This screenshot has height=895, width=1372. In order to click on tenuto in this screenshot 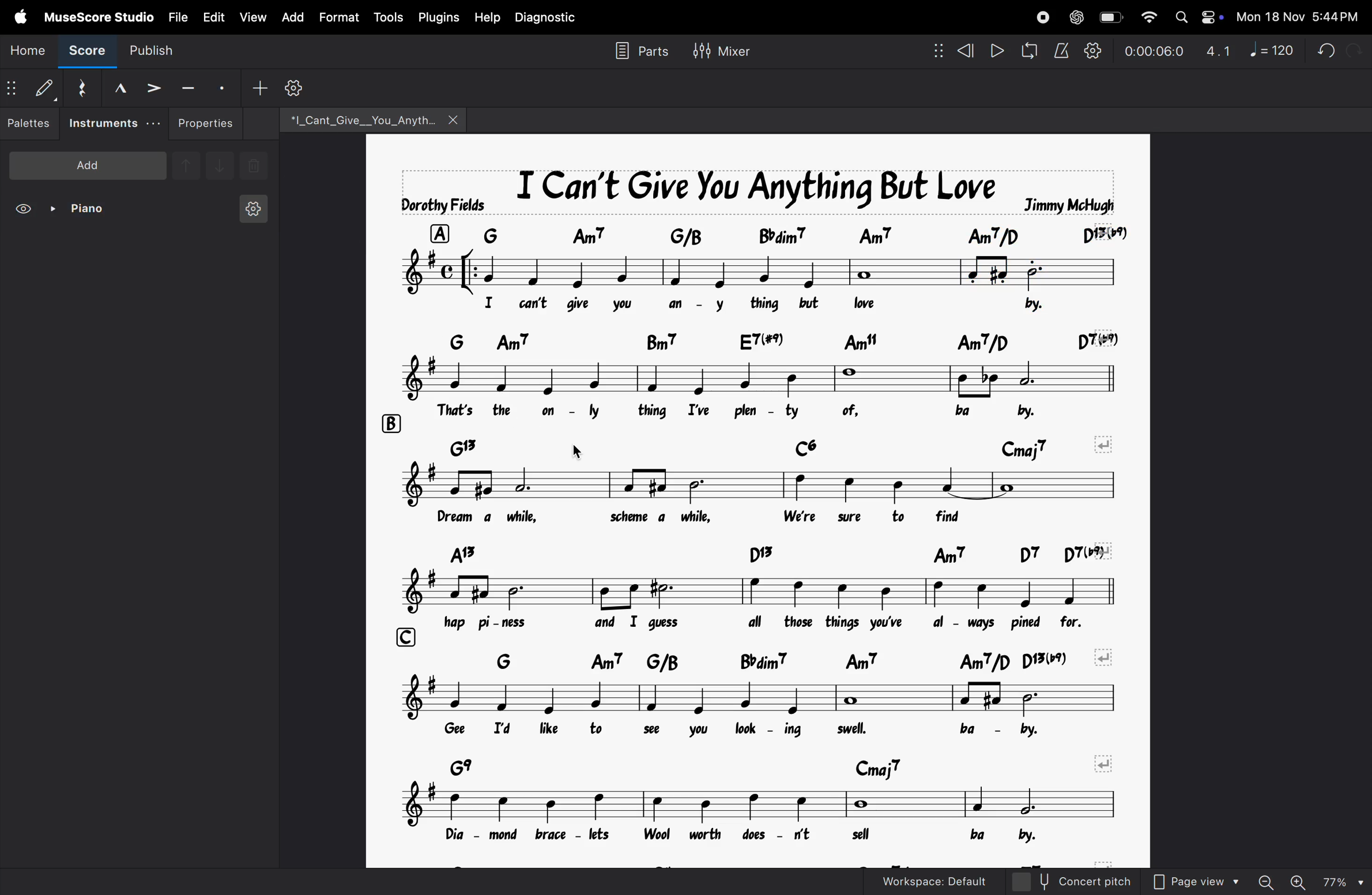, I will do `click(188, 86)`.